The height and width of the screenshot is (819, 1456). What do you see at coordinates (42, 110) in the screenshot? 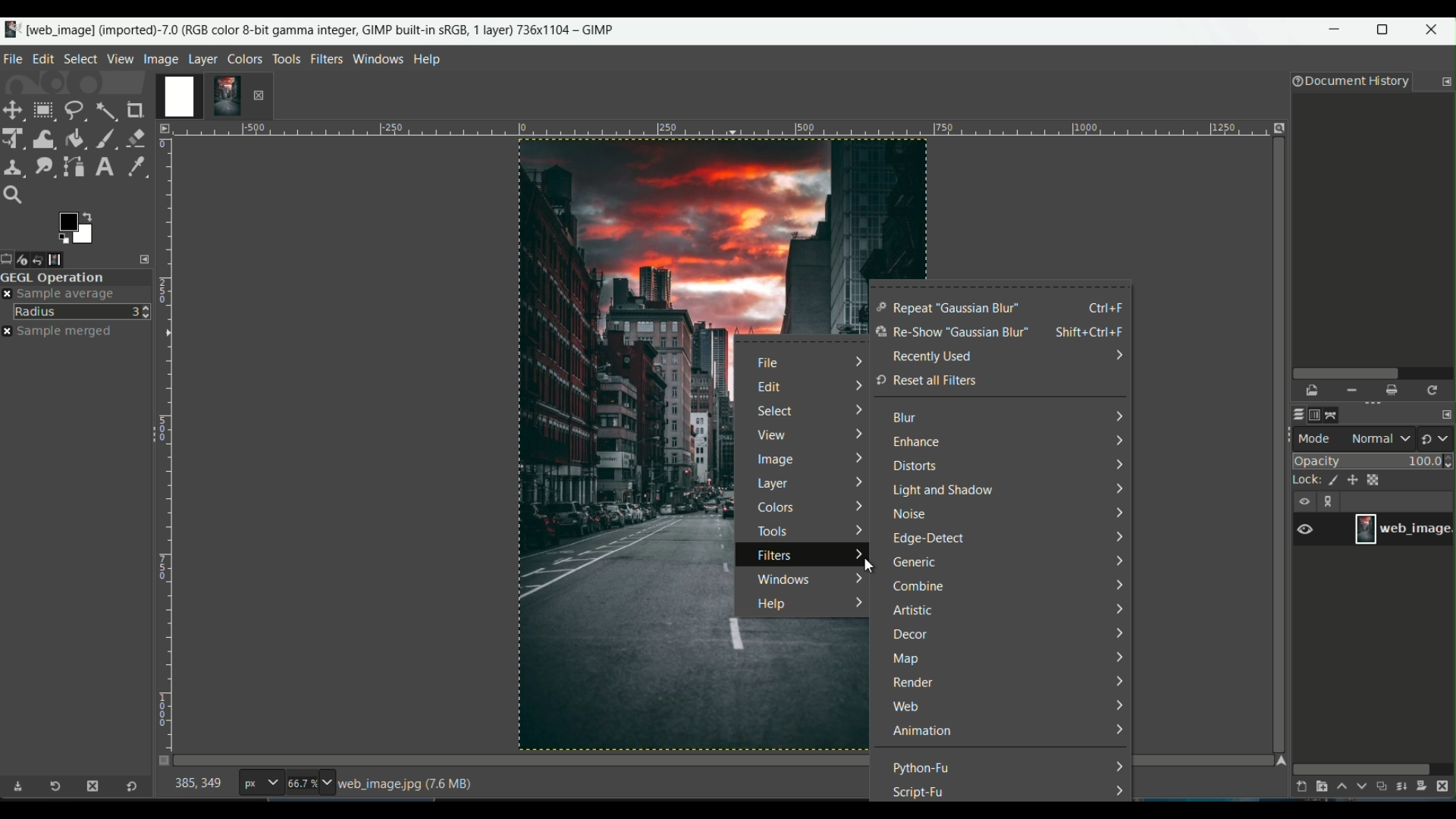
I see `rectangle select tool` at bounding box center [42, 110].